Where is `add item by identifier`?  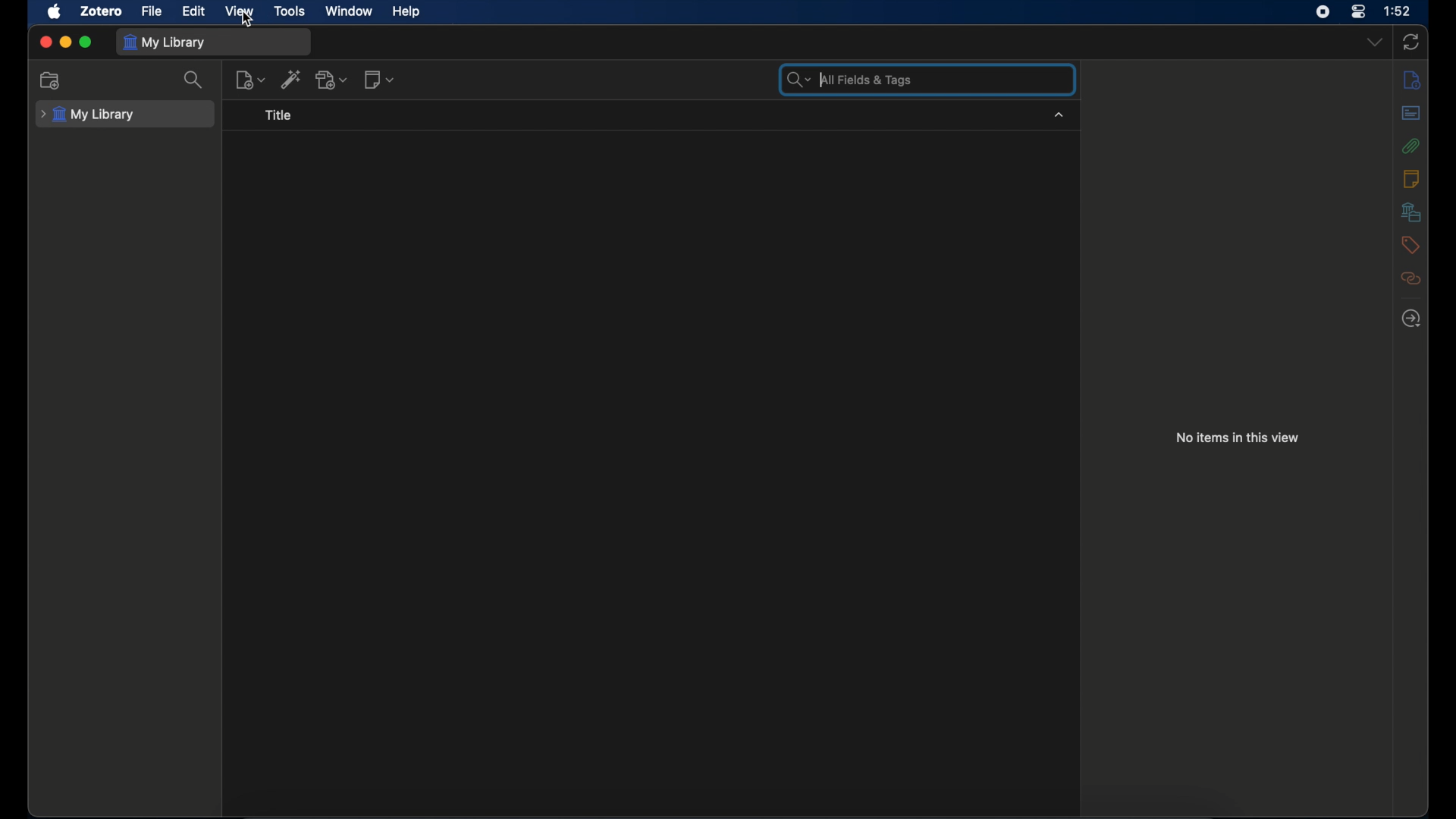
add item by identifier is located at coordinates (291, 79).